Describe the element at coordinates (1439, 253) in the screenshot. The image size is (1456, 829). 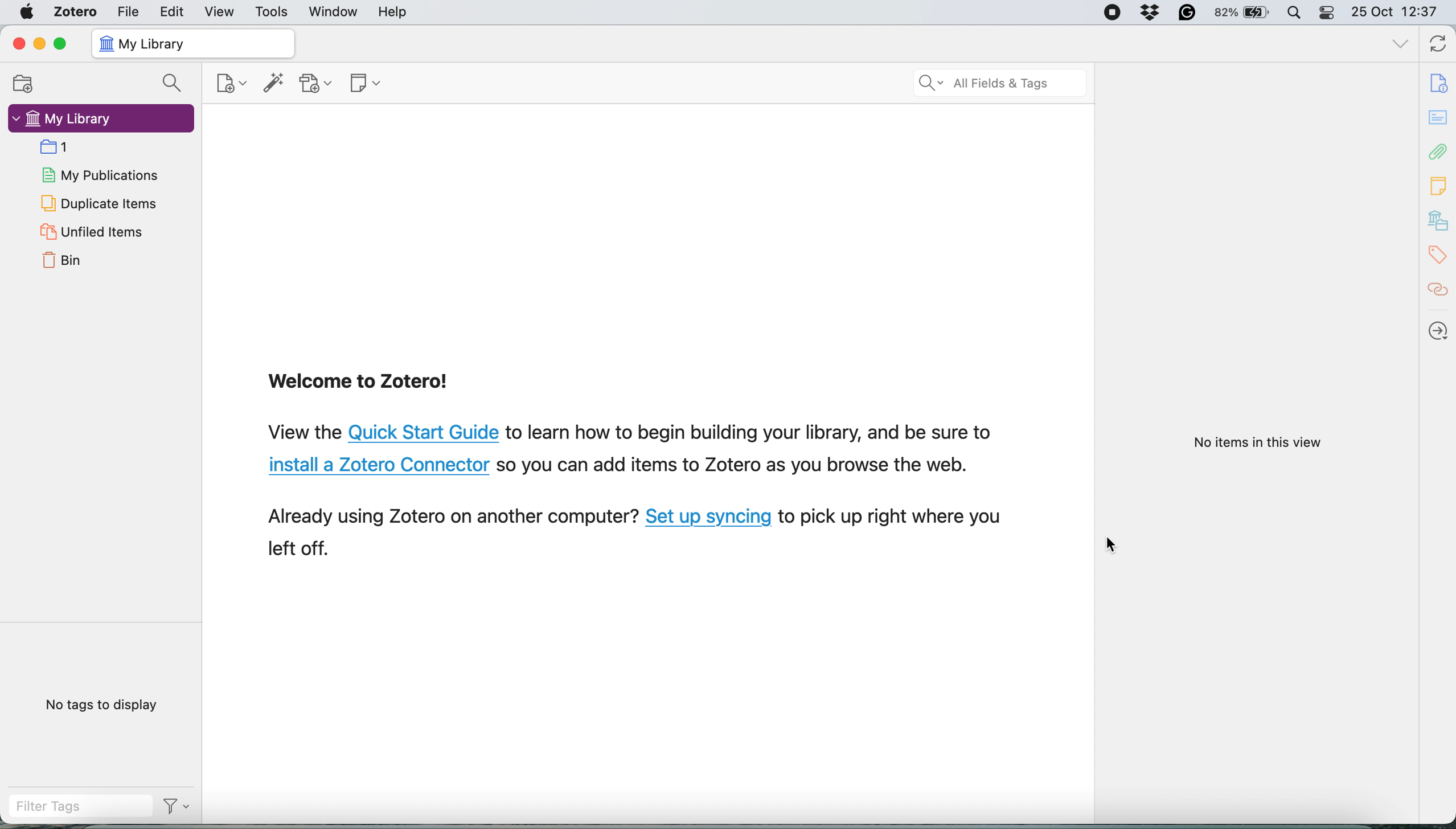
I see `tags` at that location.